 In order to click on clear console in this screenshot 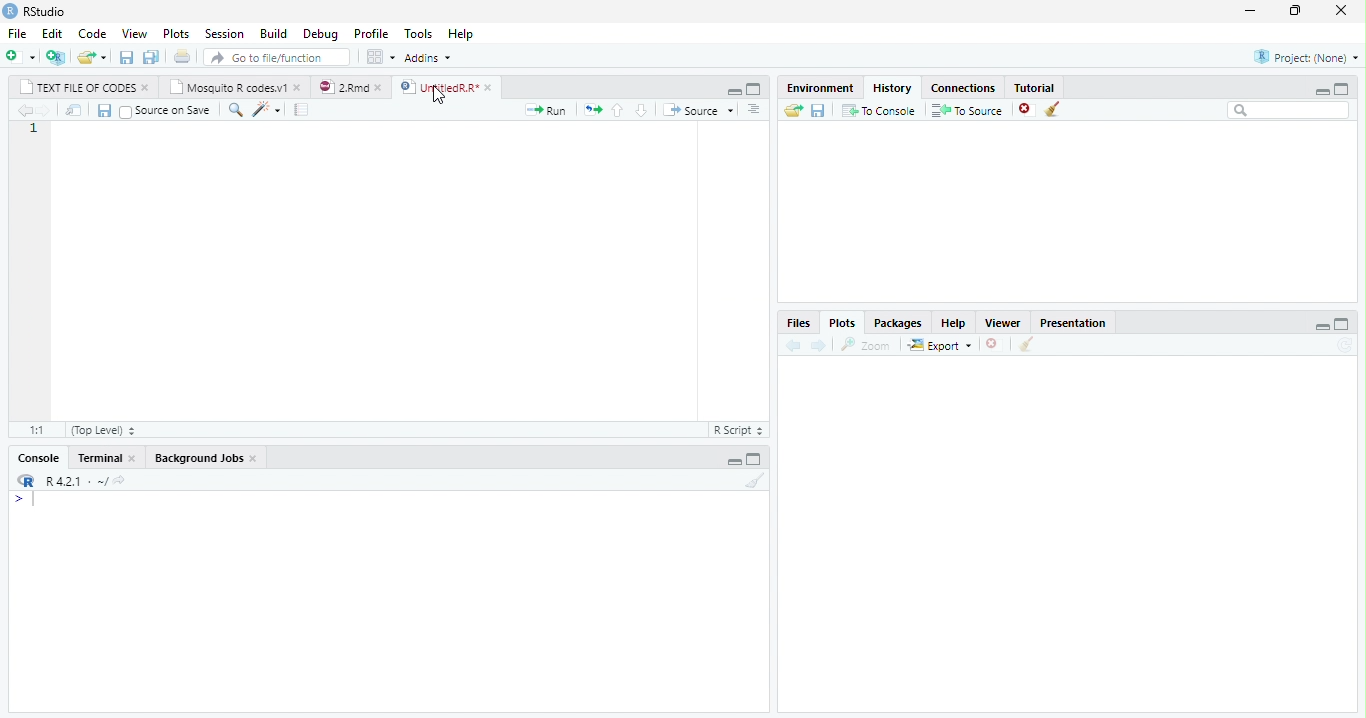, I will do `click(754, 482)`.